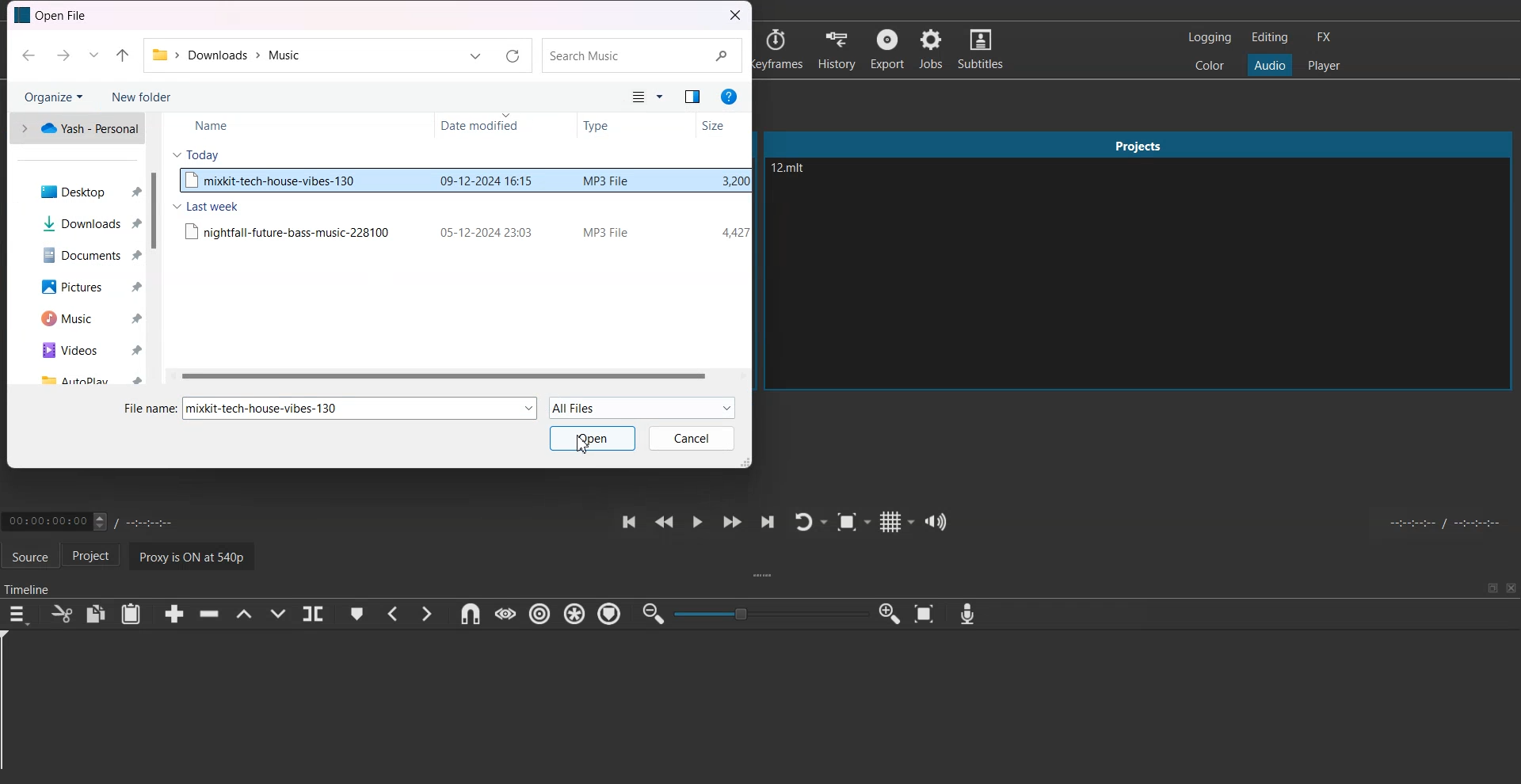 The image size is (1521, 784). What do you see at coordinates (735, 16) in the screenshot?
I see `Close` at bounding box center [735, 16].